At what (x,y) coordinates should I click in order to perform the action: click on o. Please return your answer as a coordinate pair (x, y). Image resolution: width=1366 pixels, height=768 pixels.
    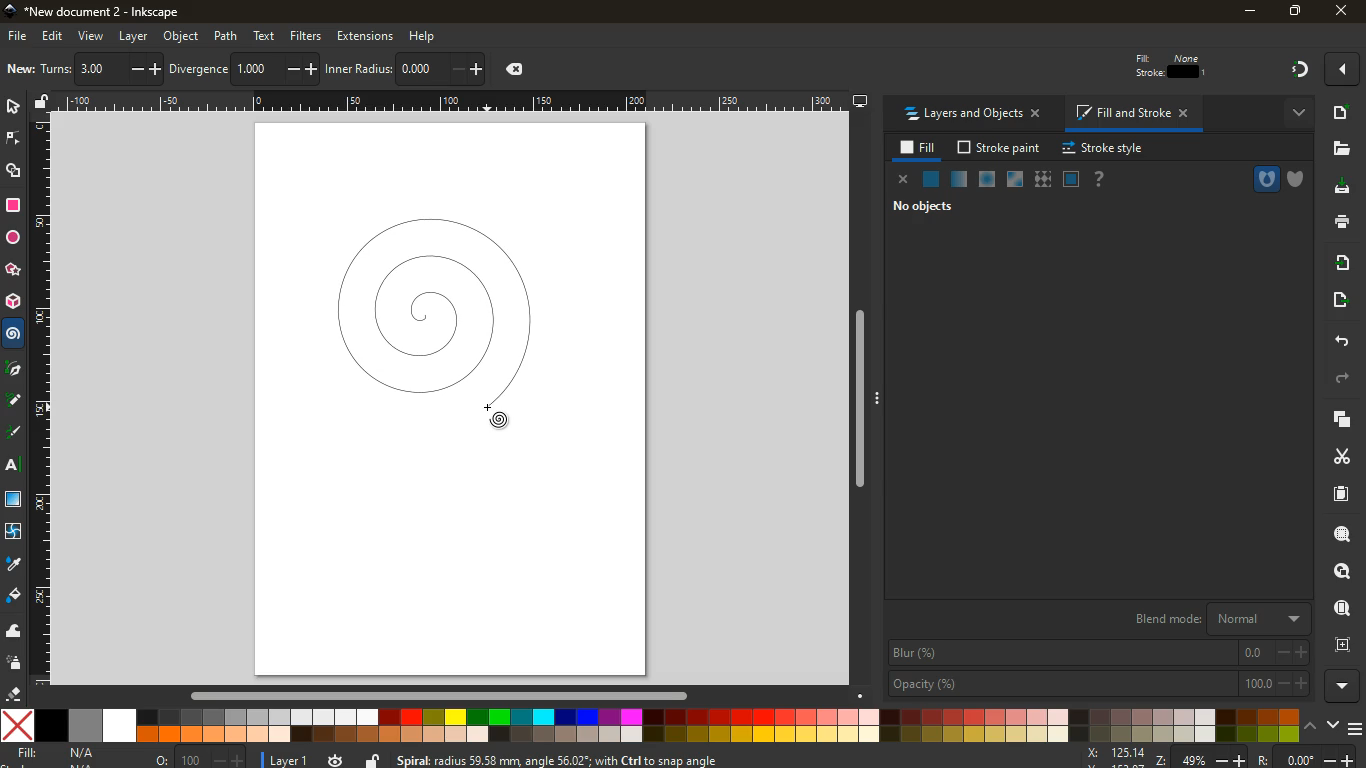
    Looking at the image, I should click on (194, 758).